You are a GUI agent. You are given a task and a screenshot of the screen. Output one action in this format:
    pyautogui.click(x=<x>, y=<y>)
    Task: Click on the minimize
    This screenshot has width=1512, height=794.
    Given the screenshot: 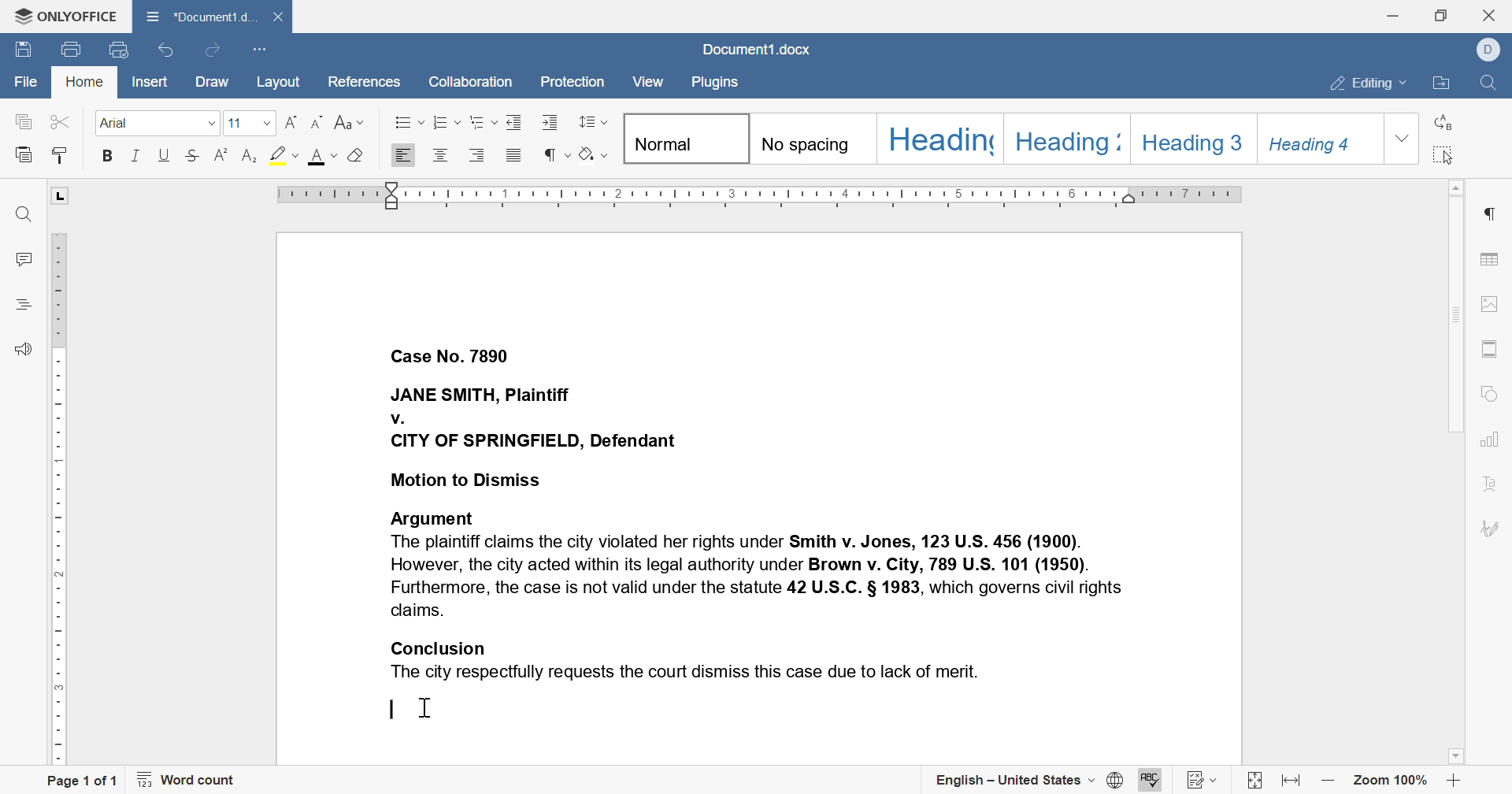 What is the action you would take?
    pyautogui.click(x=1394, y=15)
    